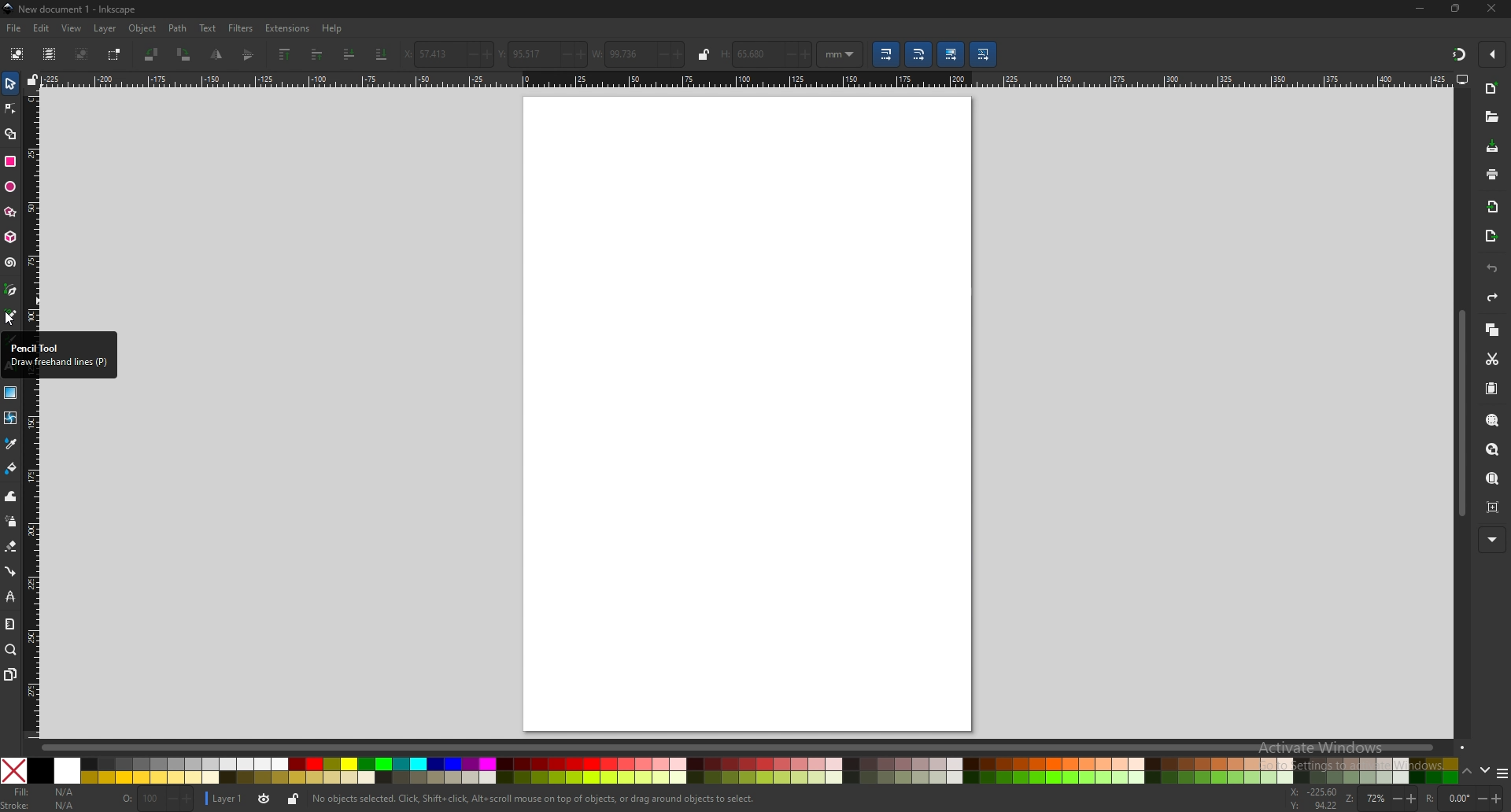  I want to click on rectangle, so click(10, 161).